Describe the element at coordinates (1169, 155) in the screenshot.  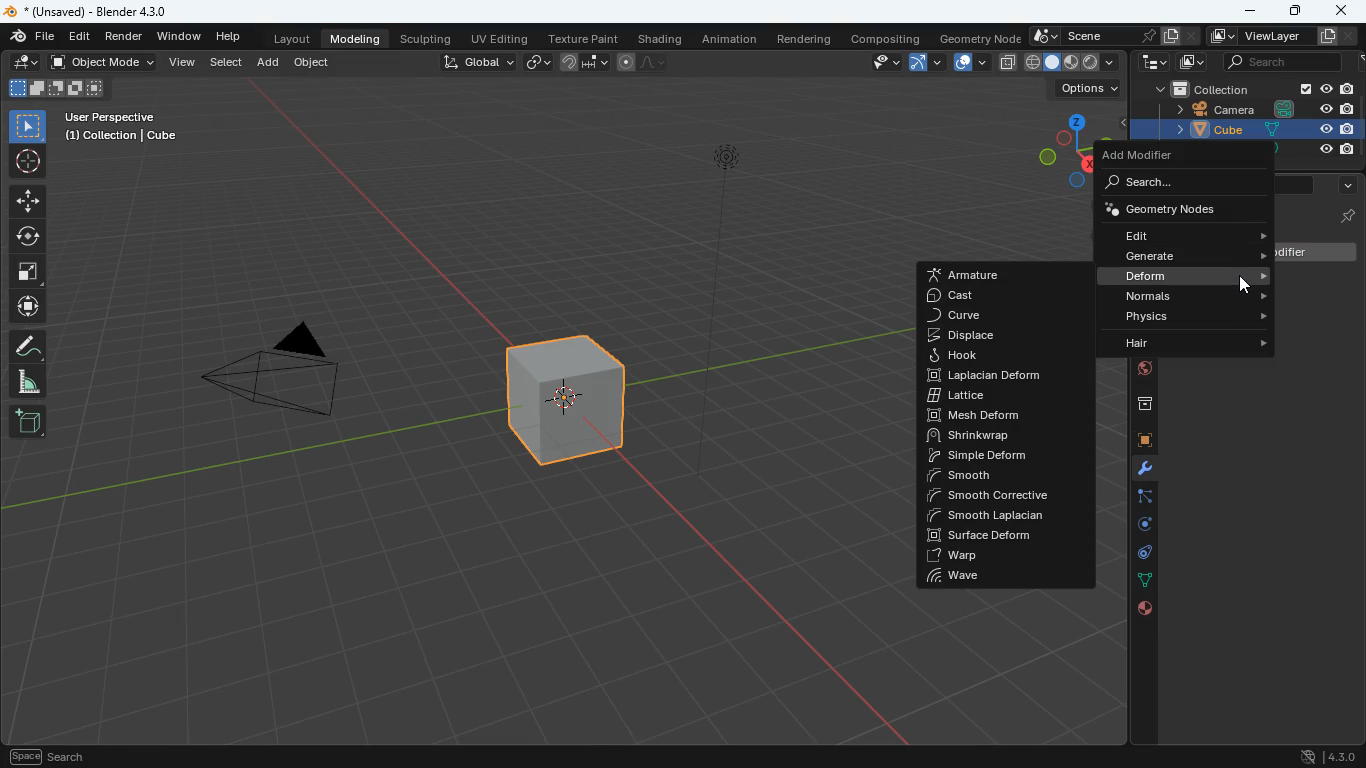
I see `add modifier` at that location.